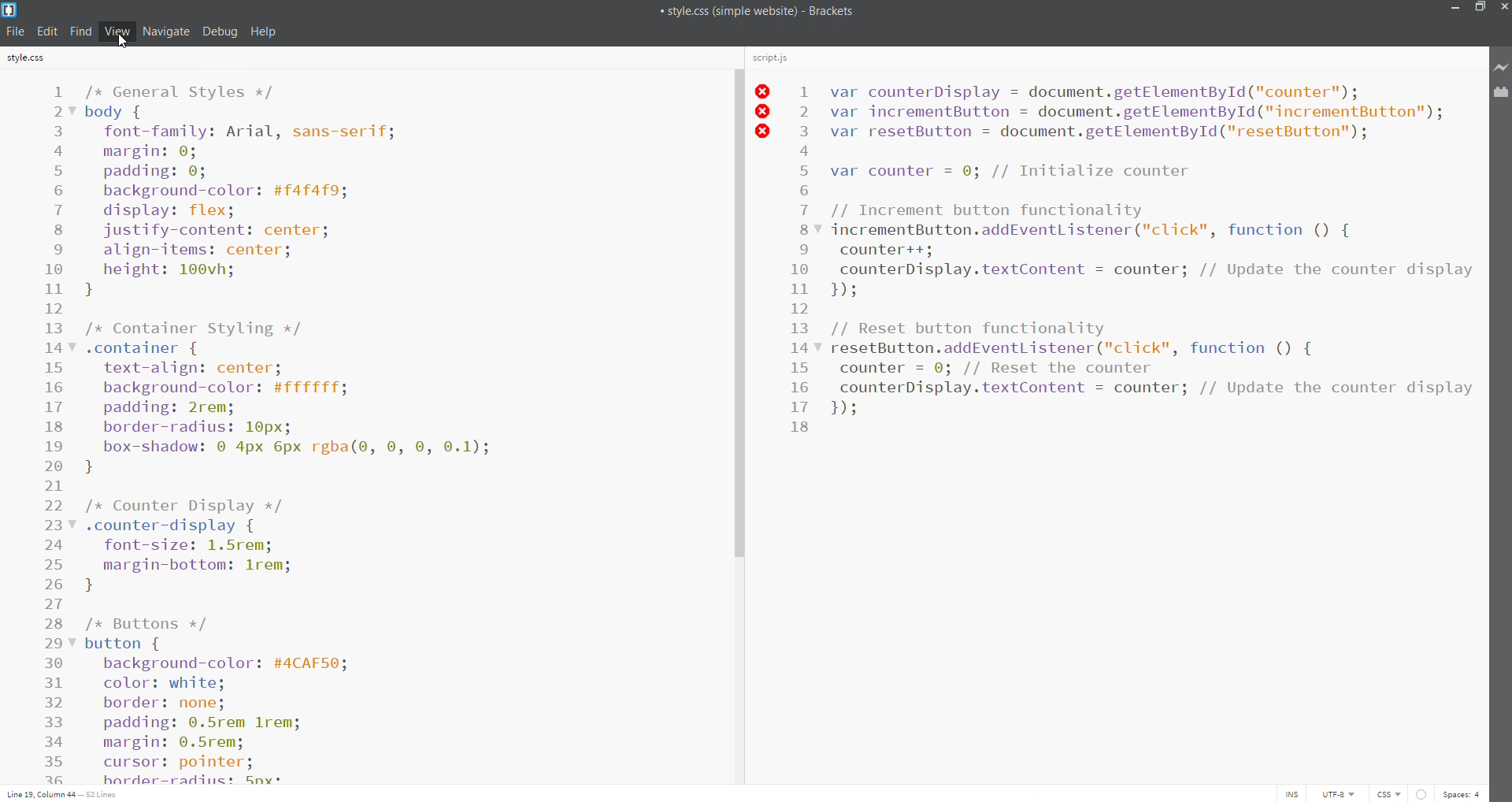  I want to click on script.js window title bar, so click(1113, 60).